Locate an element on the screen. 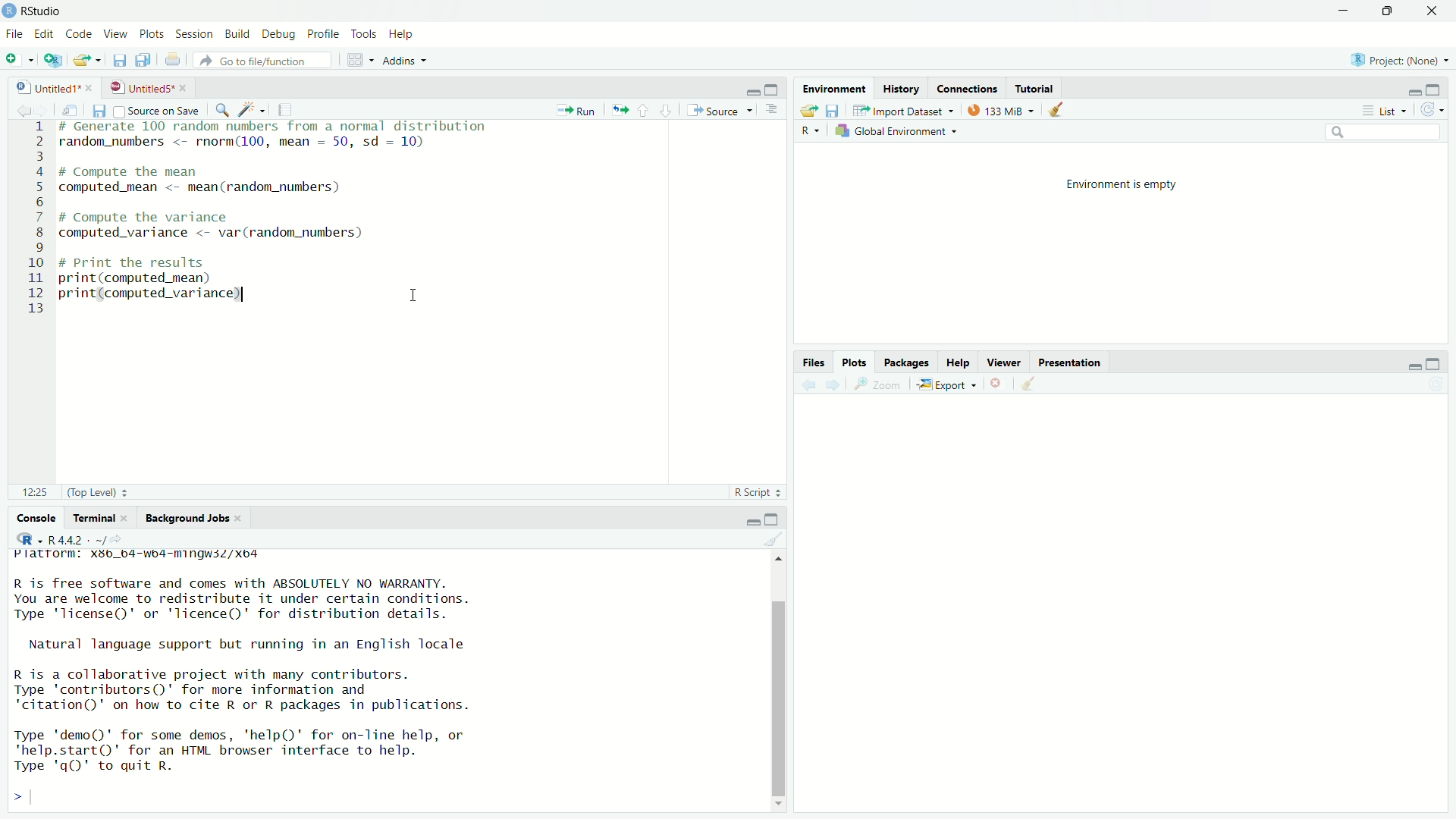 This screenshot has width=1456, height=819. connections is located at coordinates (967, 89).